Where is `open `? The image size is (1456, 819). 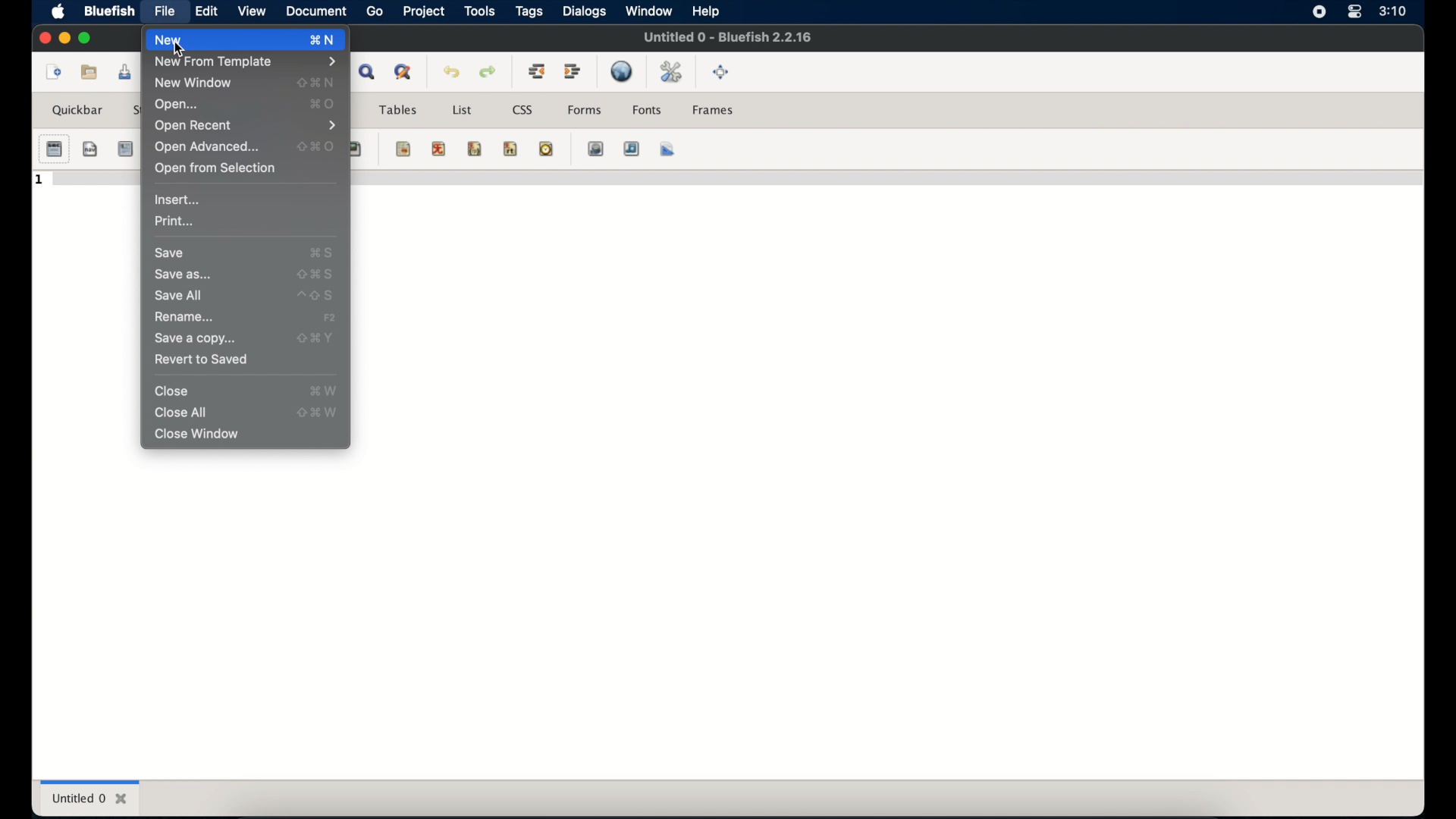
open  is located at coordinates (177, 105).